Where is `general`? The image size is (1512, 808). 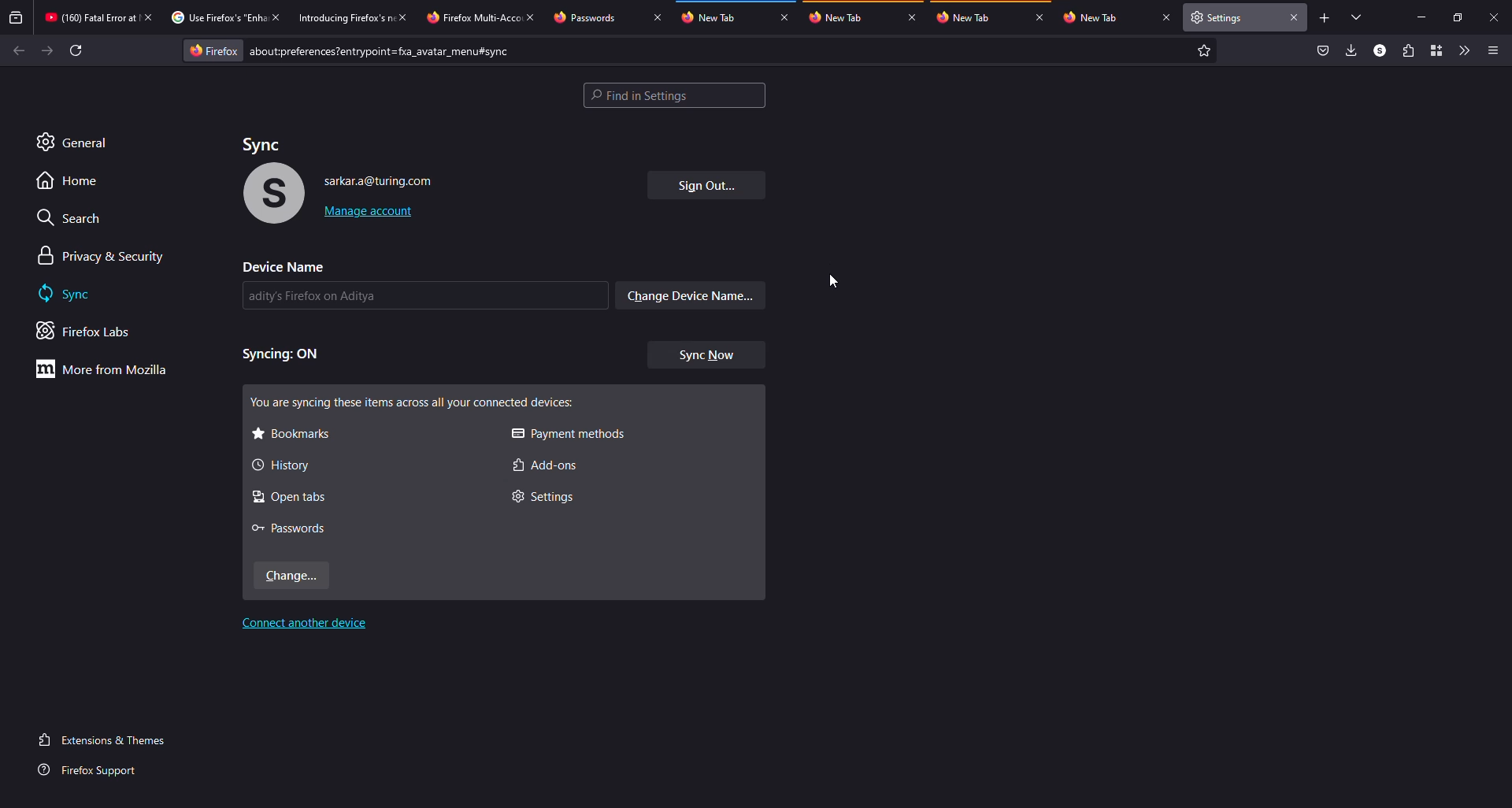
general is located at coordinates (73, 142).